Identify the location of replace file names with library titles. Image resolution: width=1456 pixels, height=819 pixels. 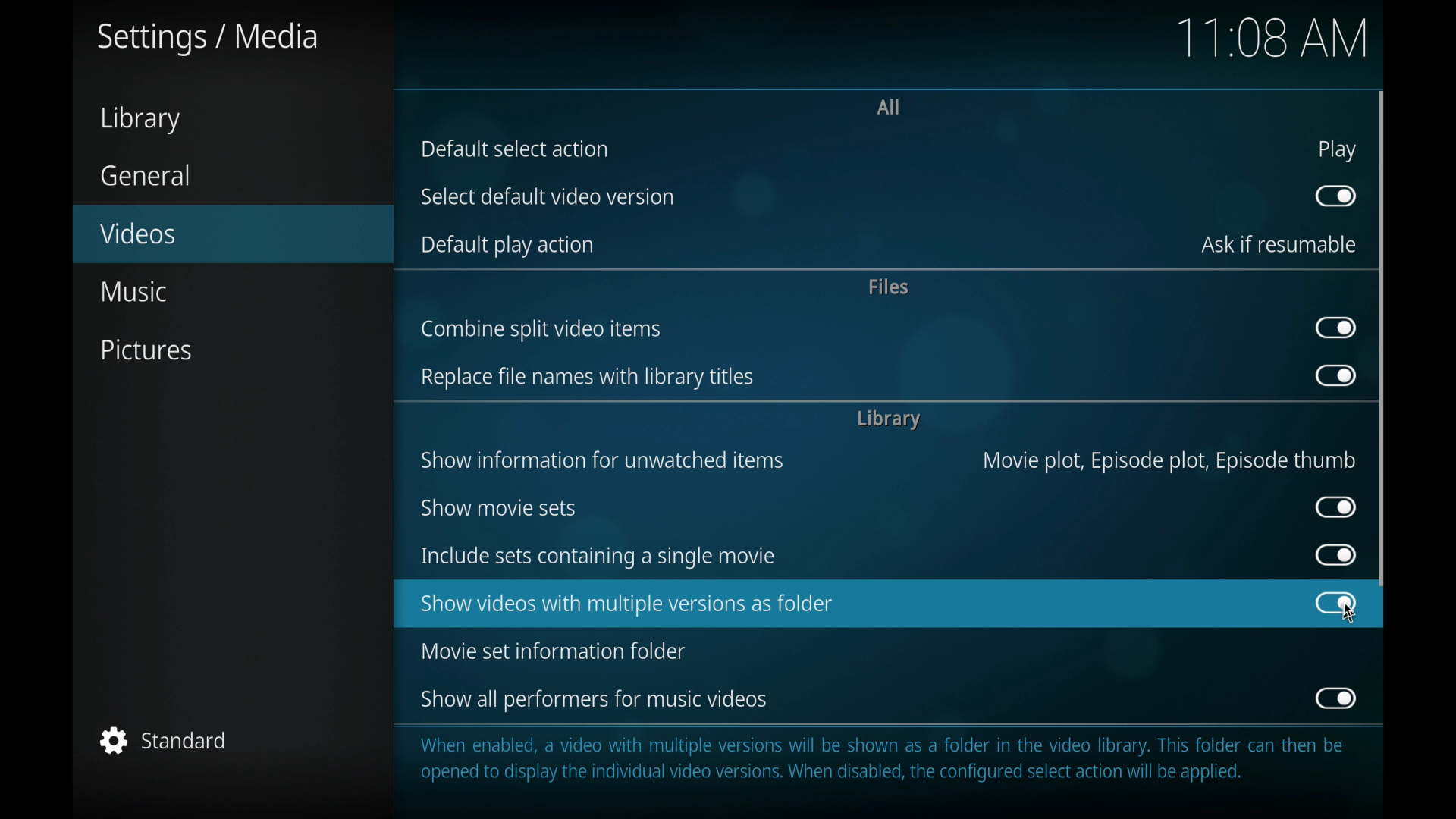
(588, 378).